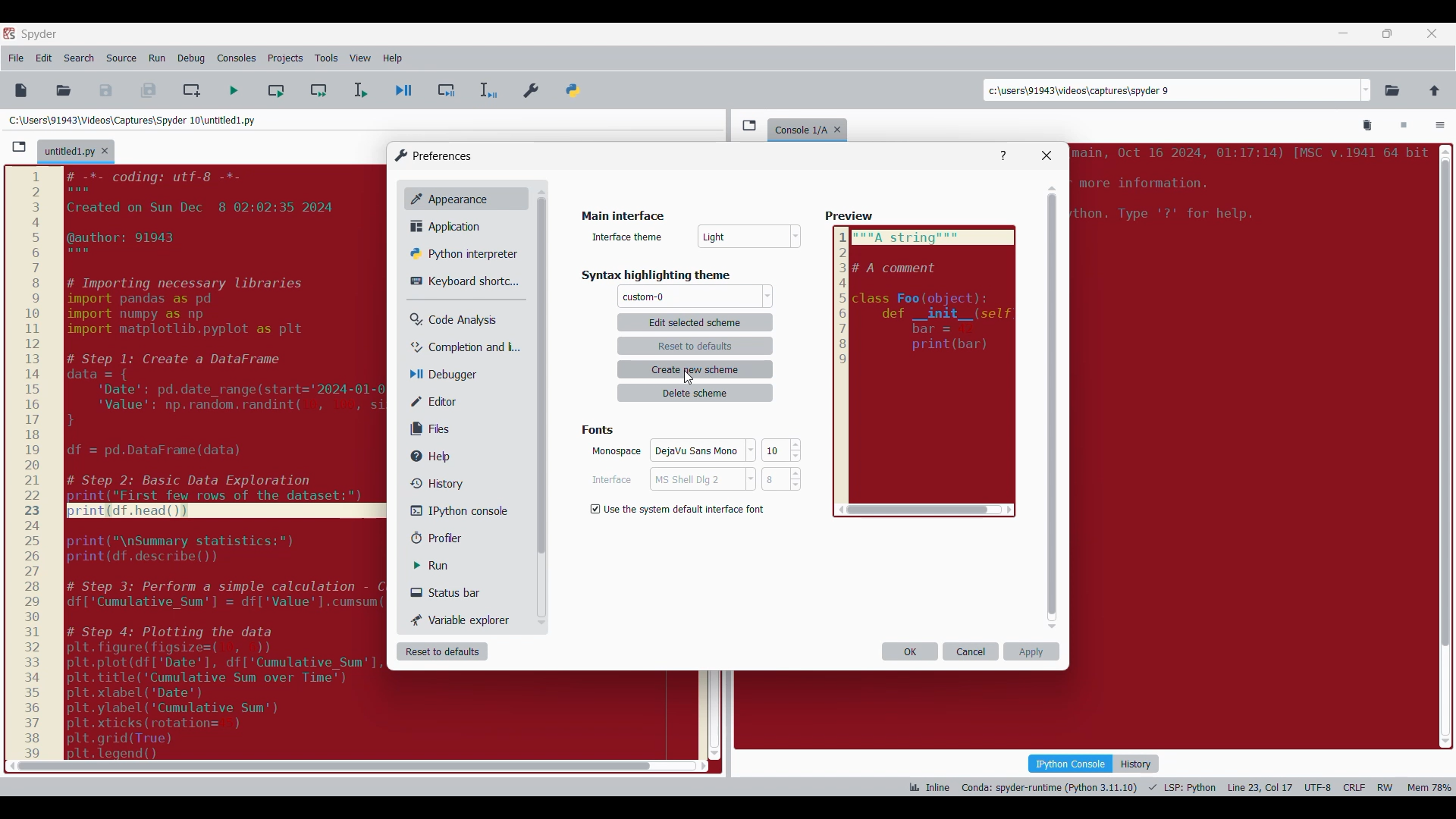 The width and height of the screenshot is (1456, 819). I want to click on IPython console, so click(466, 511).